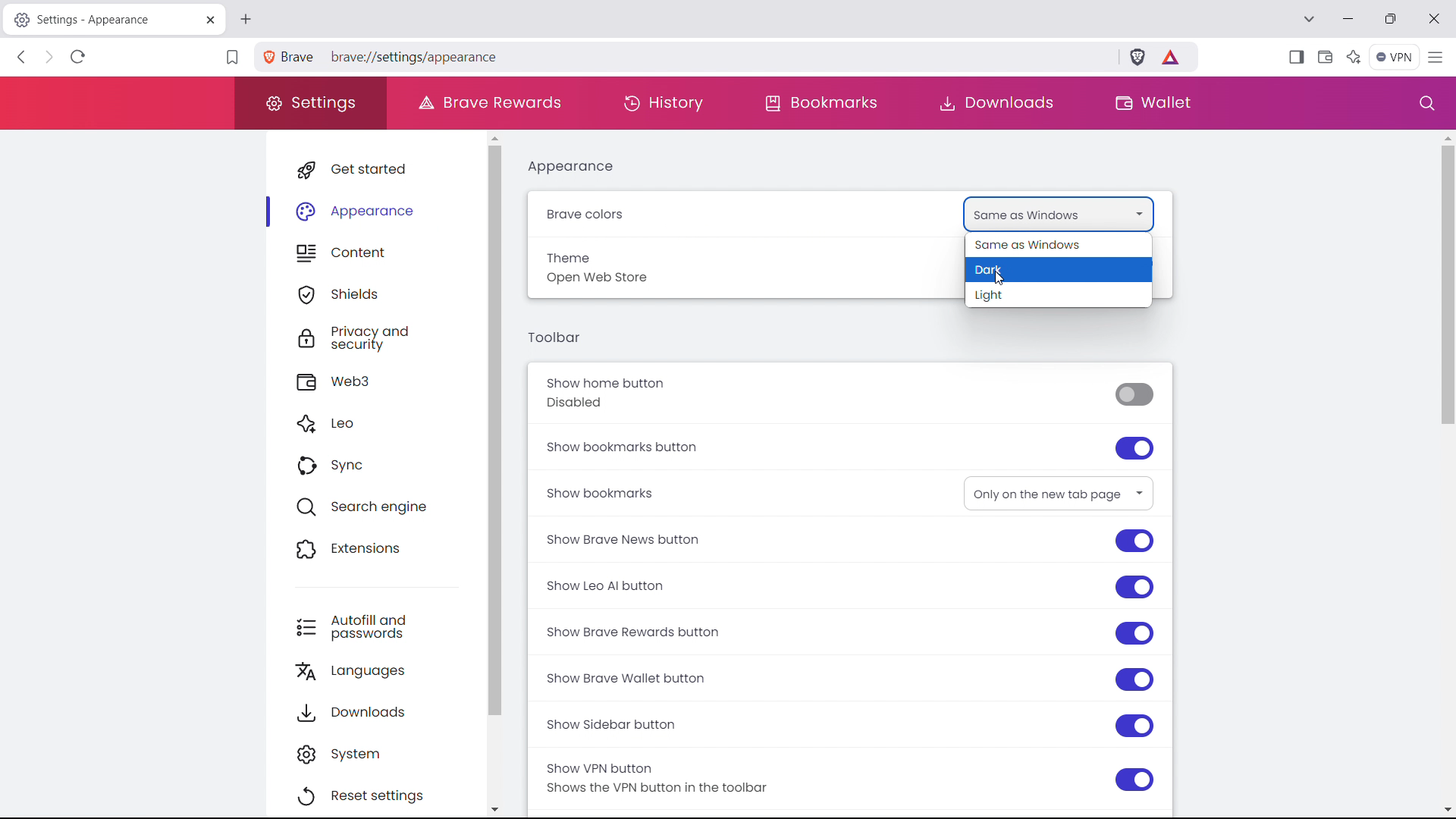 The image size is (1456, 819). Describe the element at coordinates (1059, 495) in the screenshot. I see `Only on the new tab page ` at that location.